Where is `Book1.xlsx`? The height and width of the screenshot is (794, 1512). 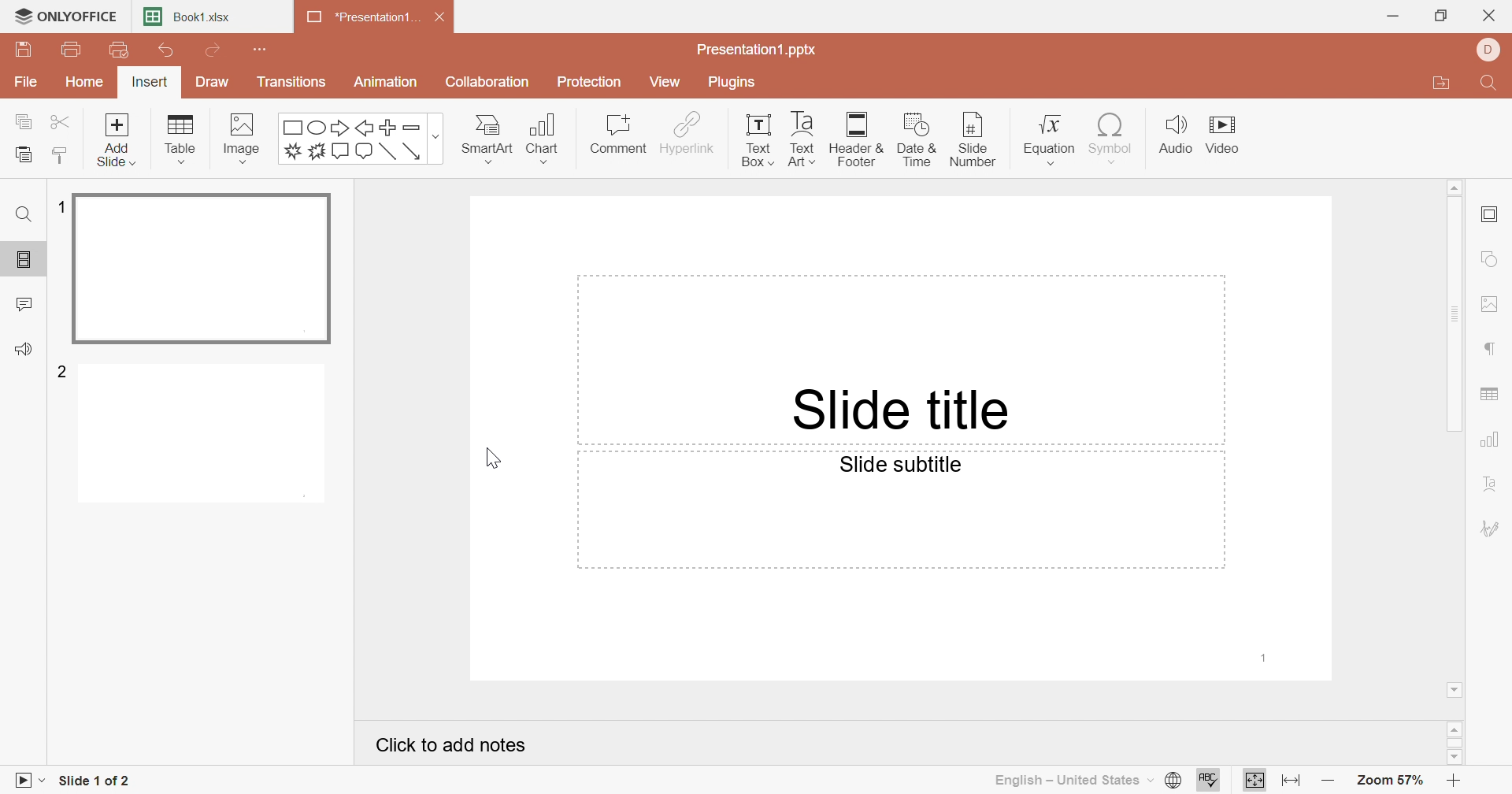 Book1.xlsx is located at coordinates (190, 18).